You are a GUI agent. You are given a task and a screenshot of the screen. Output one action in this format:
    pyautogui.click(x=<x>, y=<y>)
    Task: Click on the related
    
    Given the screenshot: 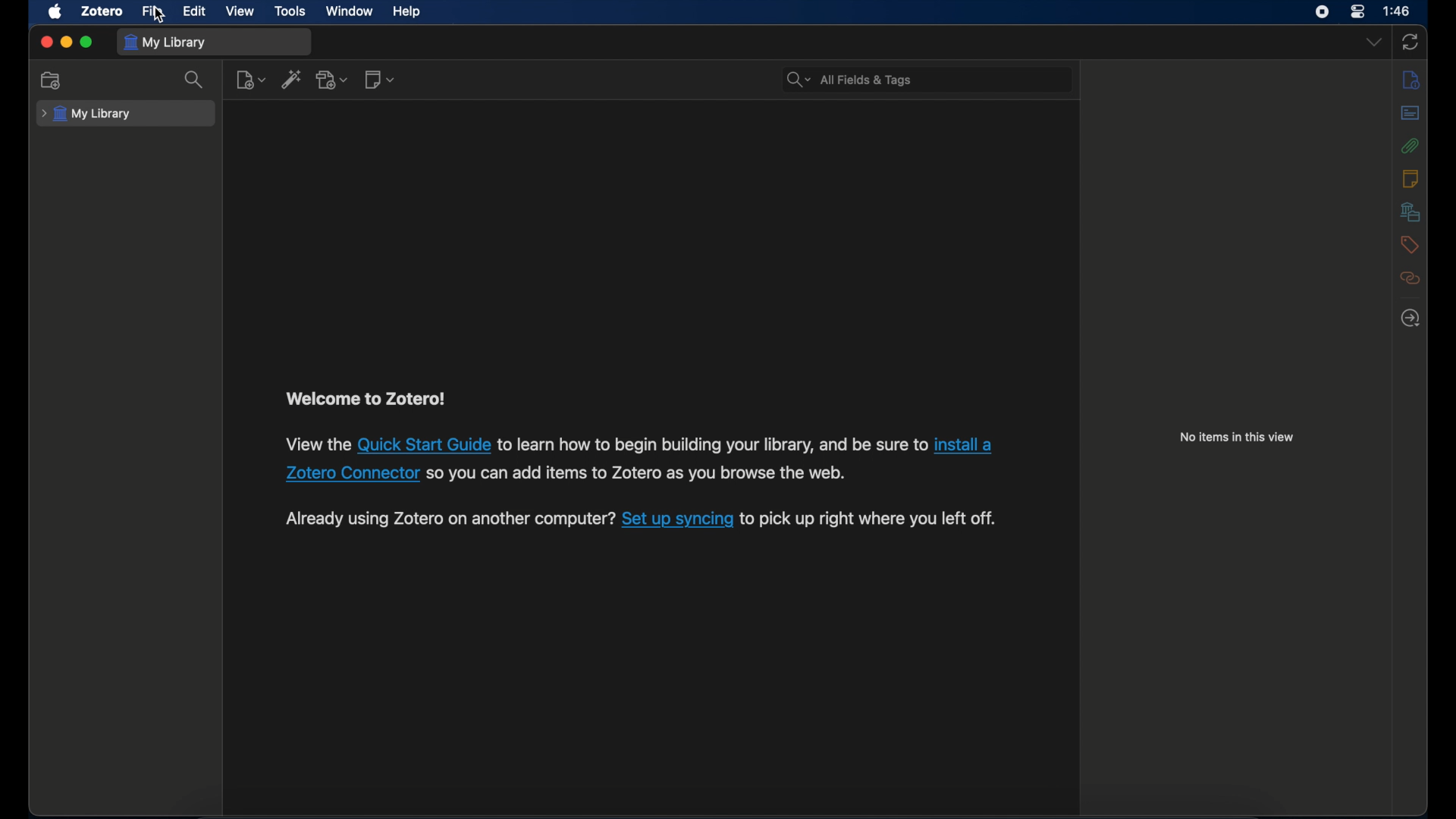 What is the action you would take?
    pyautogui.click(x=1410, y=278)
    